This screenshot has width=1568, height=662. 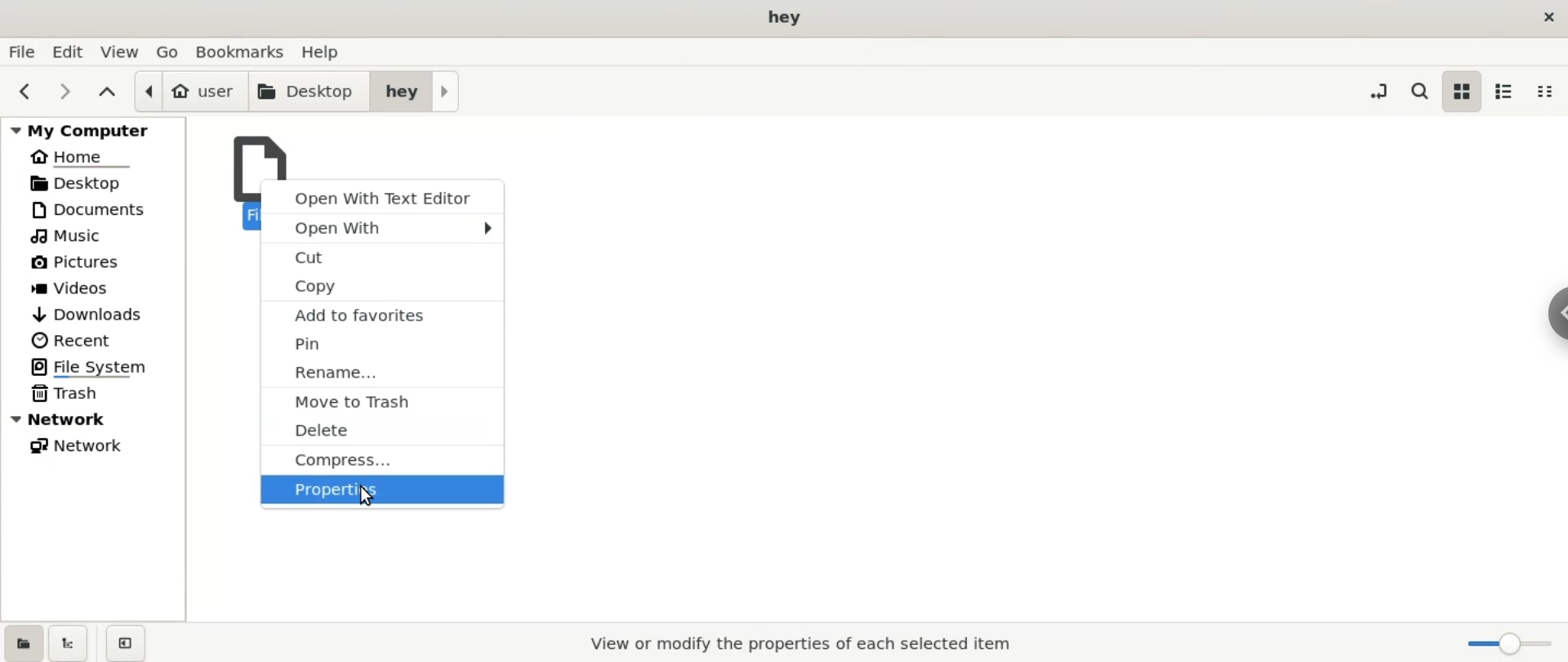 What do you see at coordinates (795, 645) in the screenshot?
I see `properties selected` at bounding box center [795, 645].